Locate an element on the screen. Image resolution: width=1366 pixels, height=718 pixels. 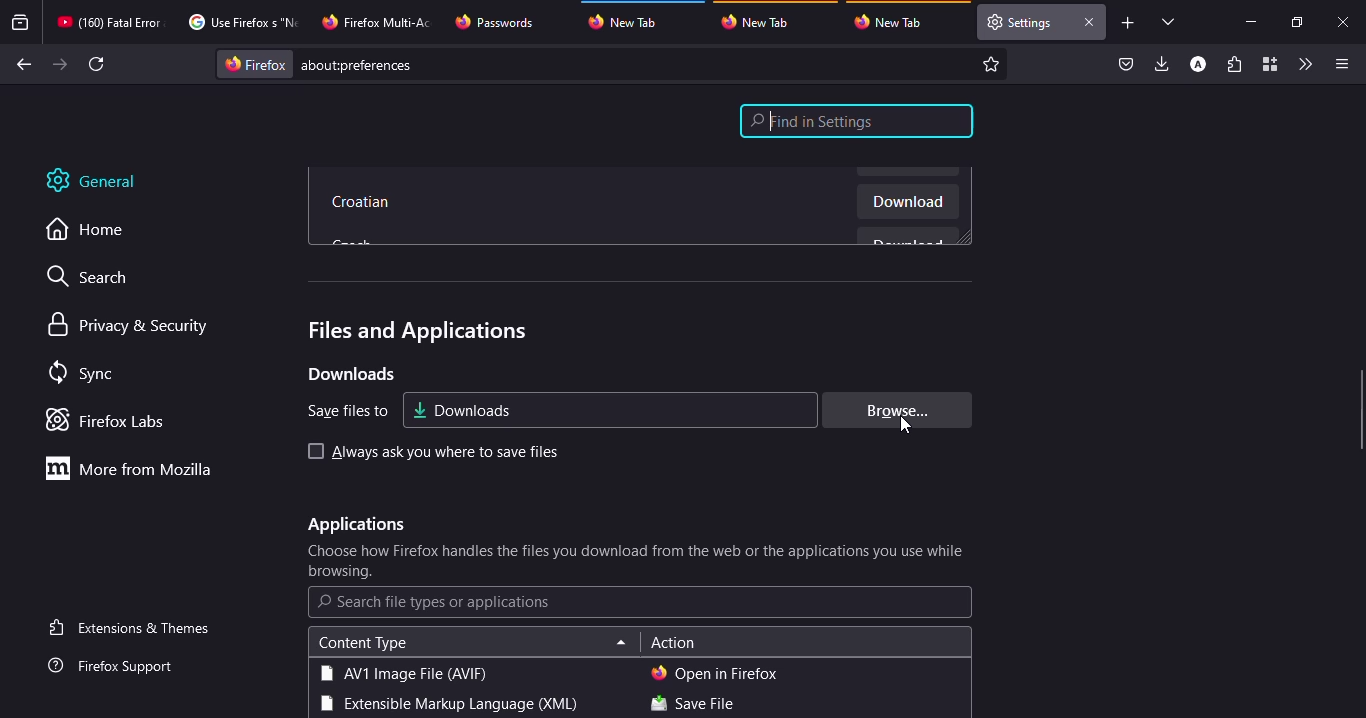
tab is located at coordinates (109, 22).